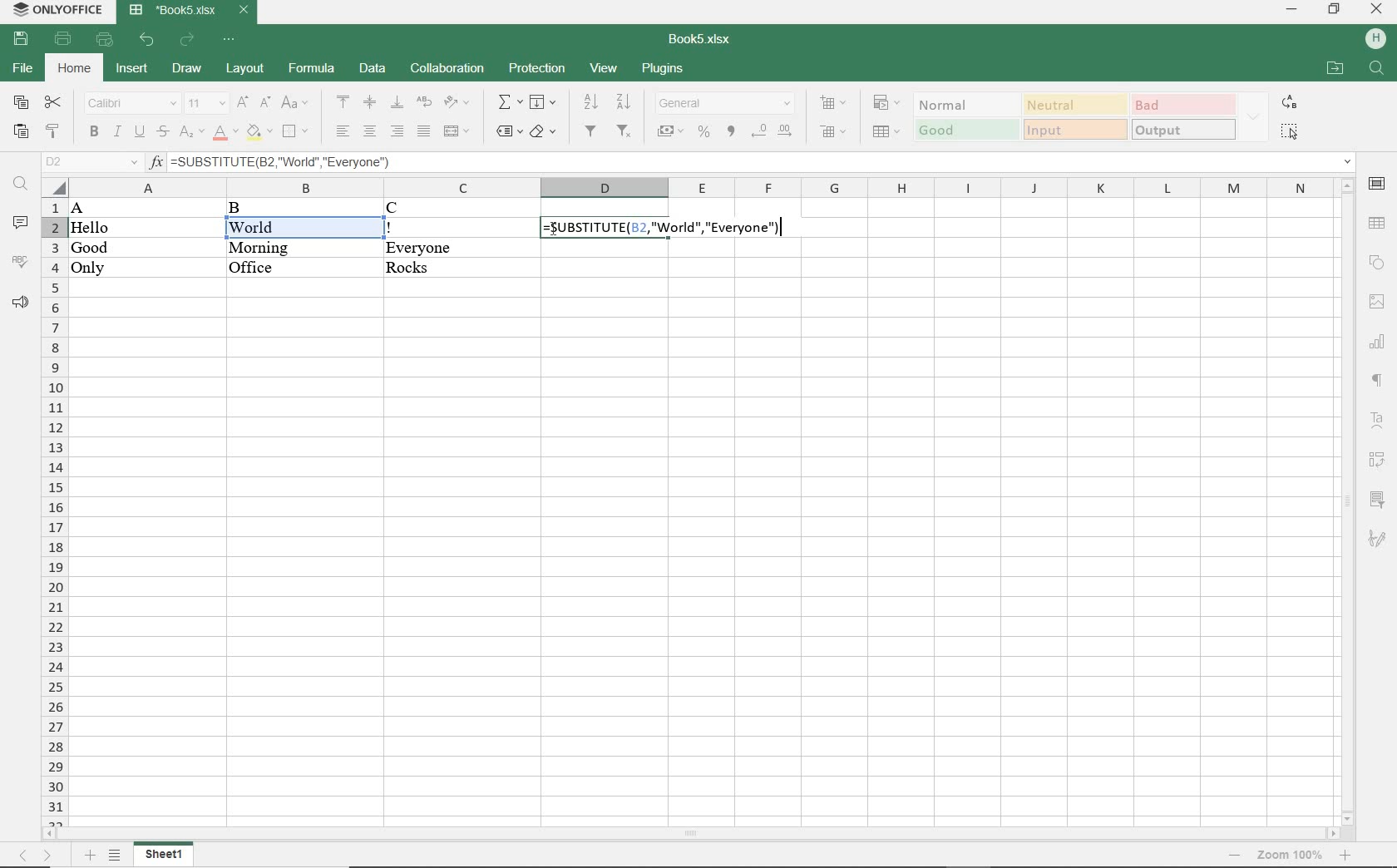  Describe the element at coordinates (1346, 499) in the screenshot. I see `scrollbar` at that location.